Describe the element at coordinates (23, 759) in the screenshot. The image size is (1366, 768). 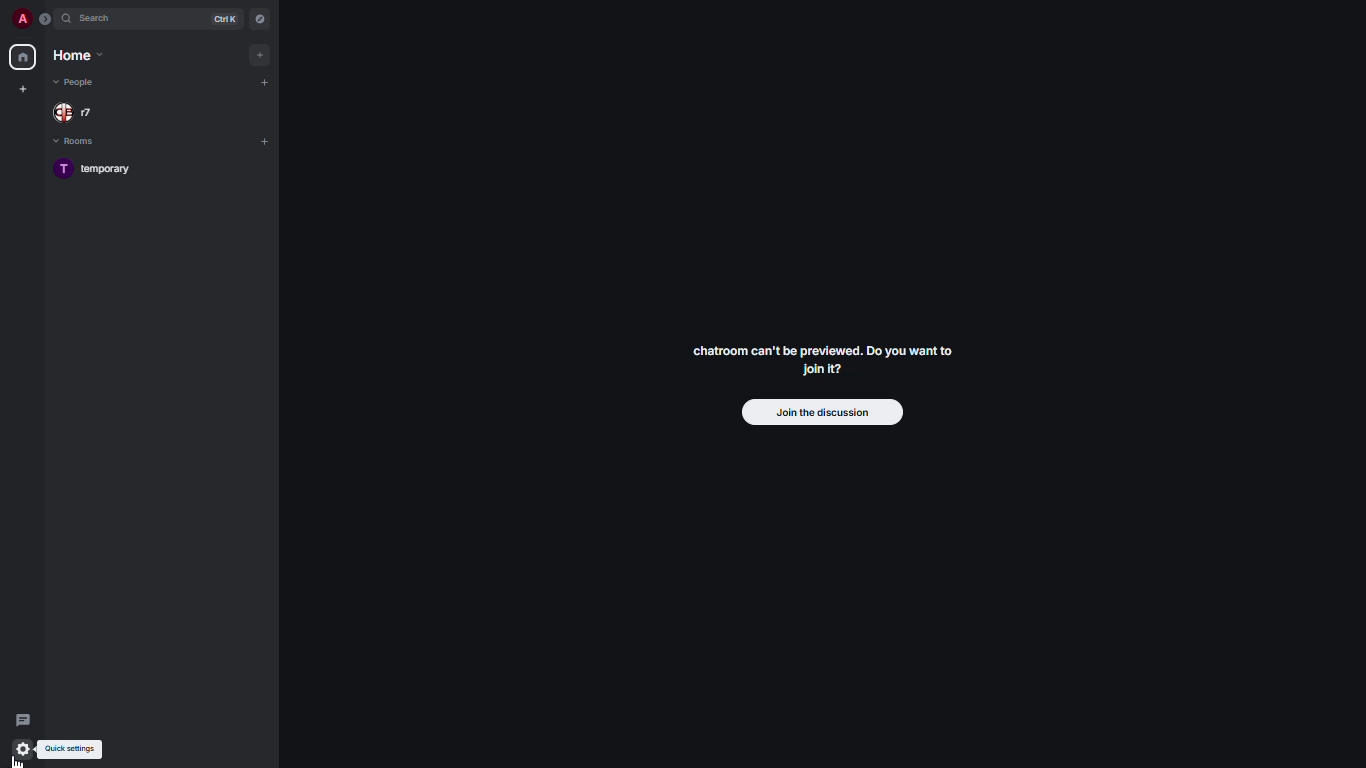
I see `cursor` at that location.